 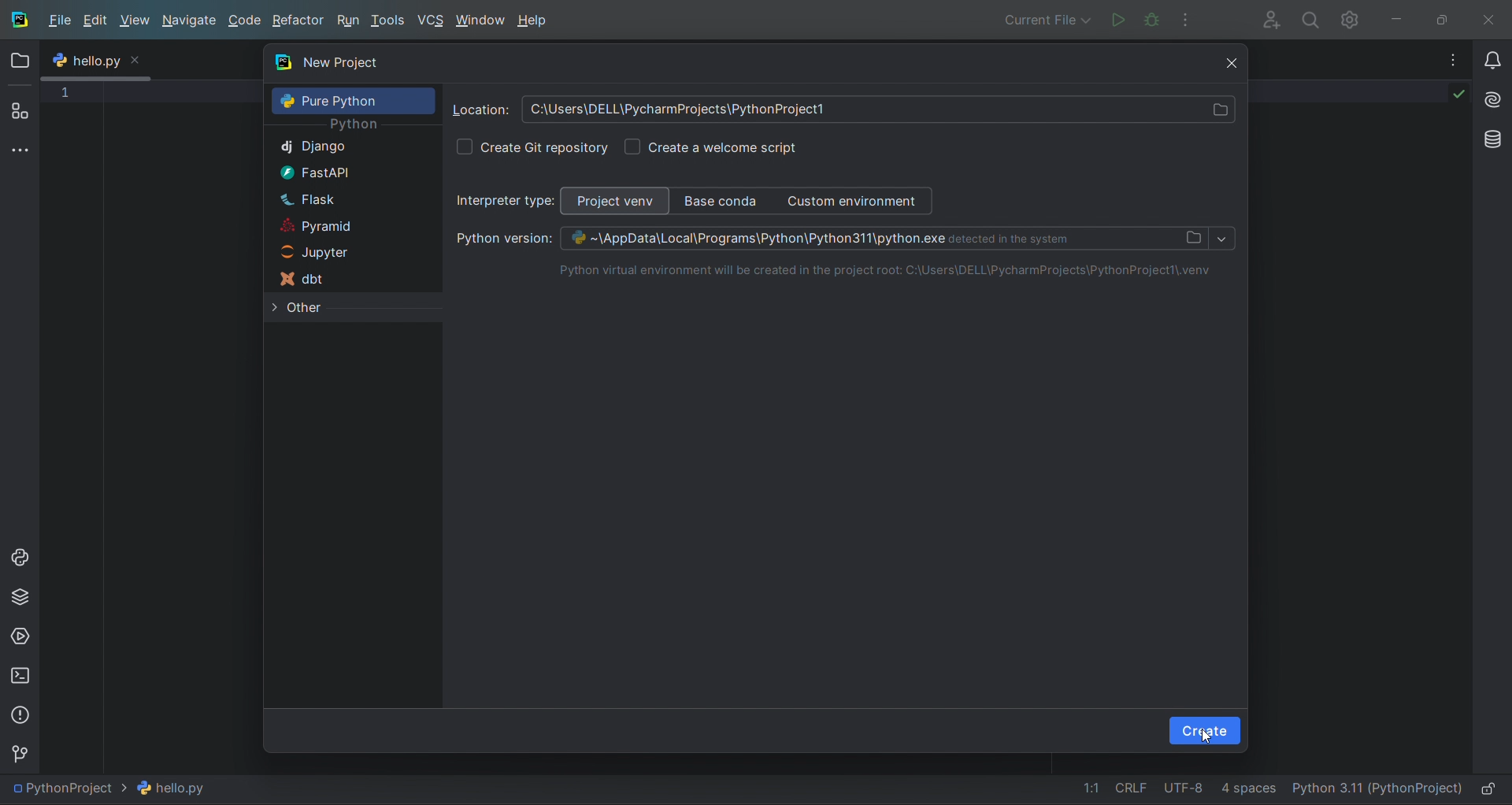 I want to click on python console, so click(x=20, y=558).